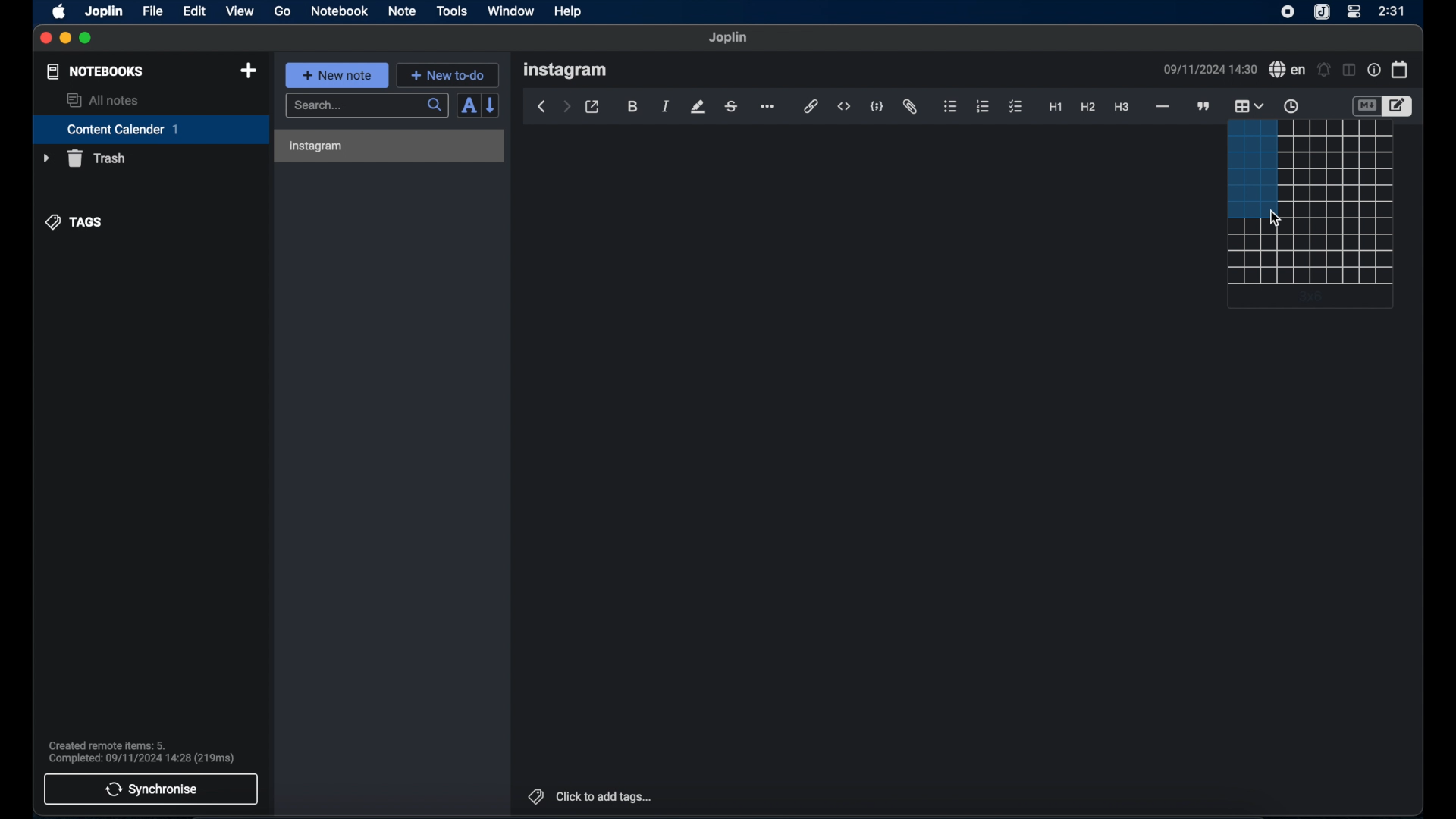 The image size is (1456, 819). Describe the element at coordinates (74, 222) in the screenshot. I see `tags` at that location.